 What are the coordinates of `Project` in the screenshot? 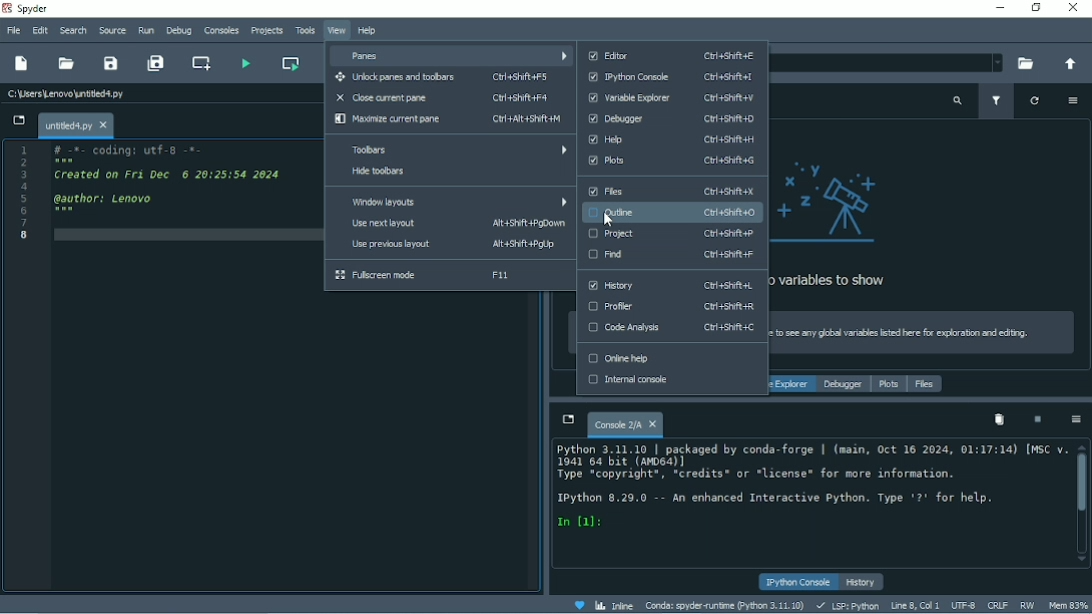 It's located at (671, 233).